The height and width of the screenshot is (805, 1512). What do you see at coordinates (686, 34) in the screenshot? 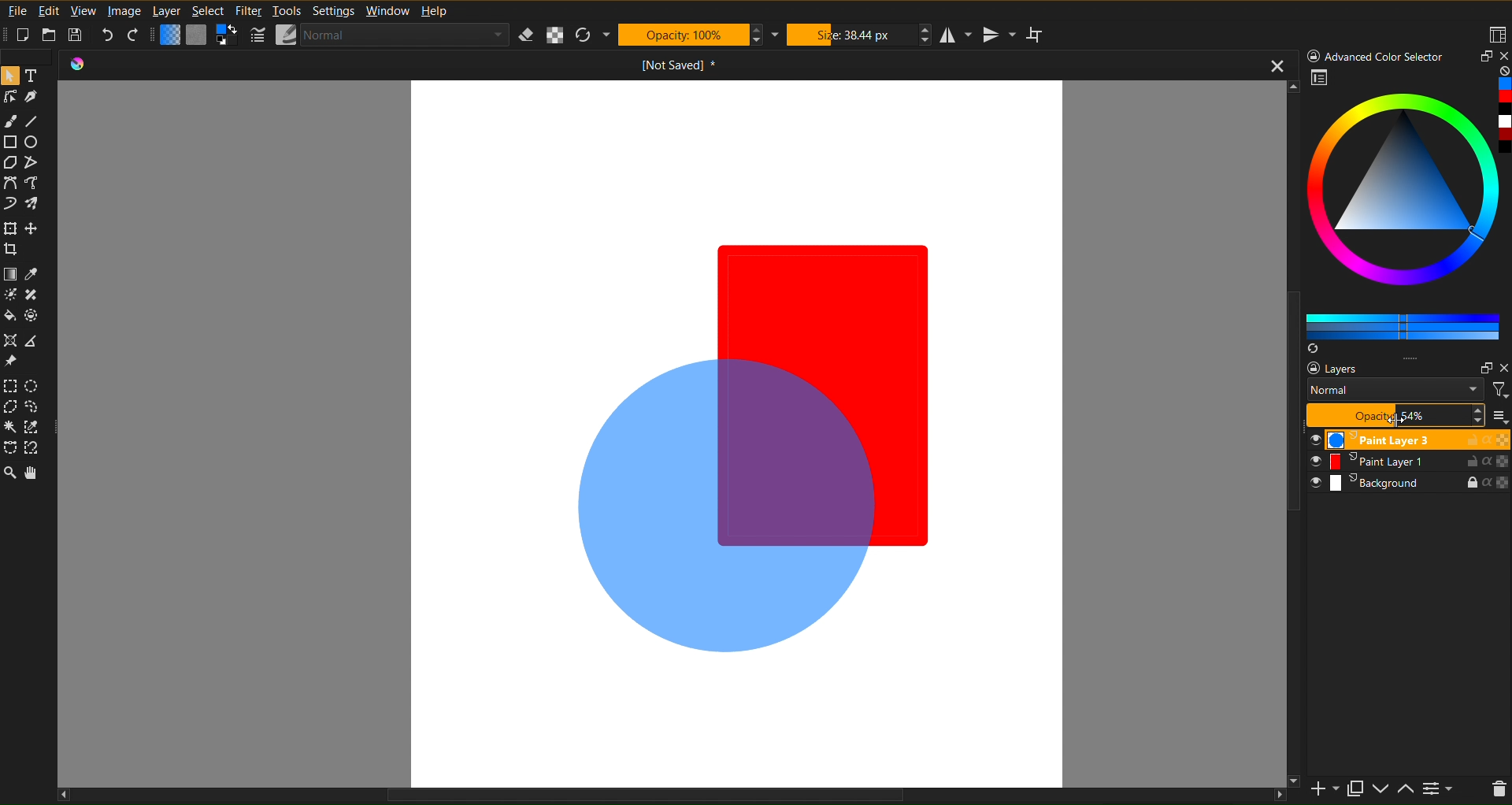
I see `Opacity` at bounding box center [686, 34].